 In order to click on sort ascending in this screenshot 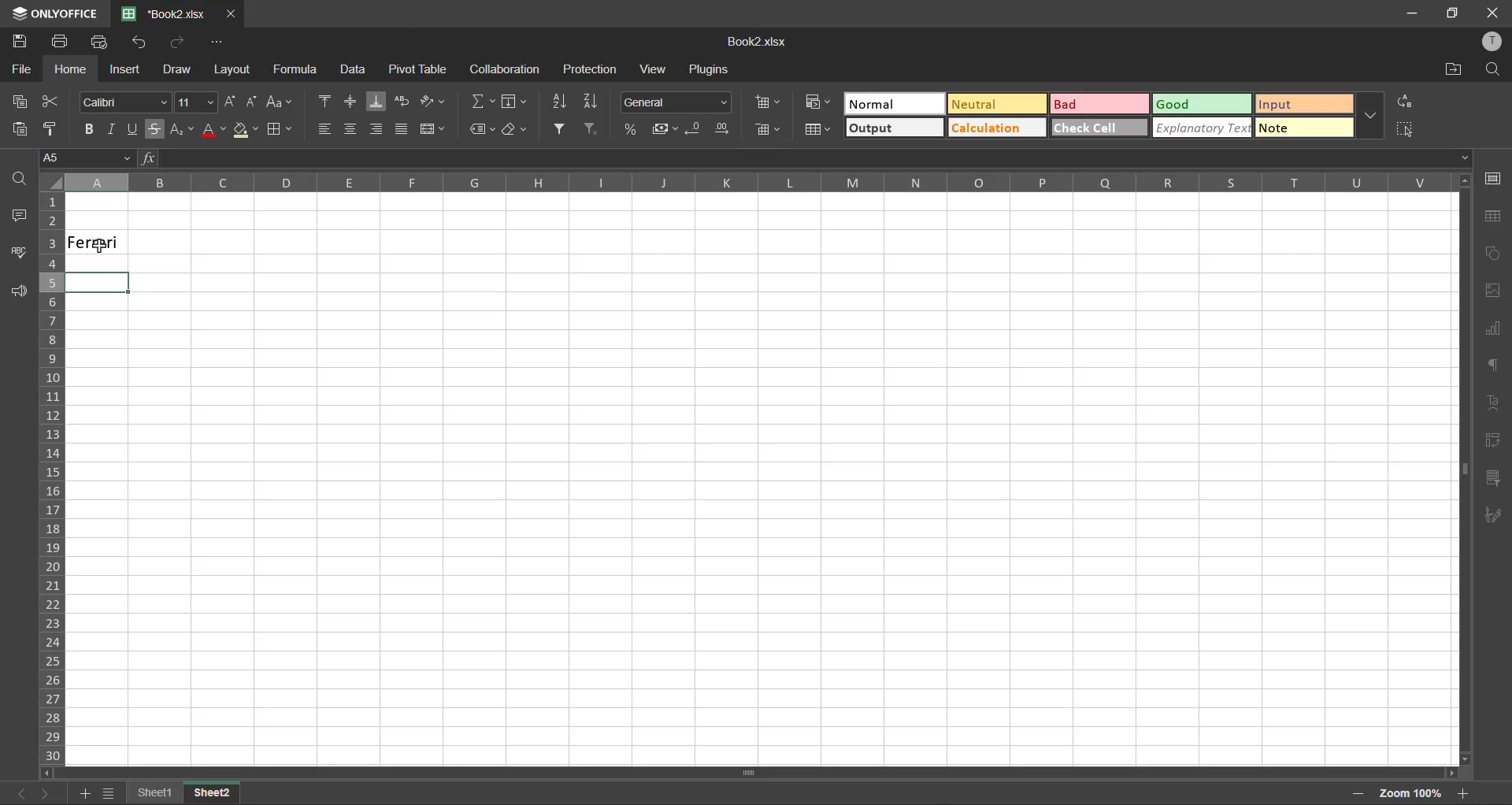, I will do `click(560, 102)`.